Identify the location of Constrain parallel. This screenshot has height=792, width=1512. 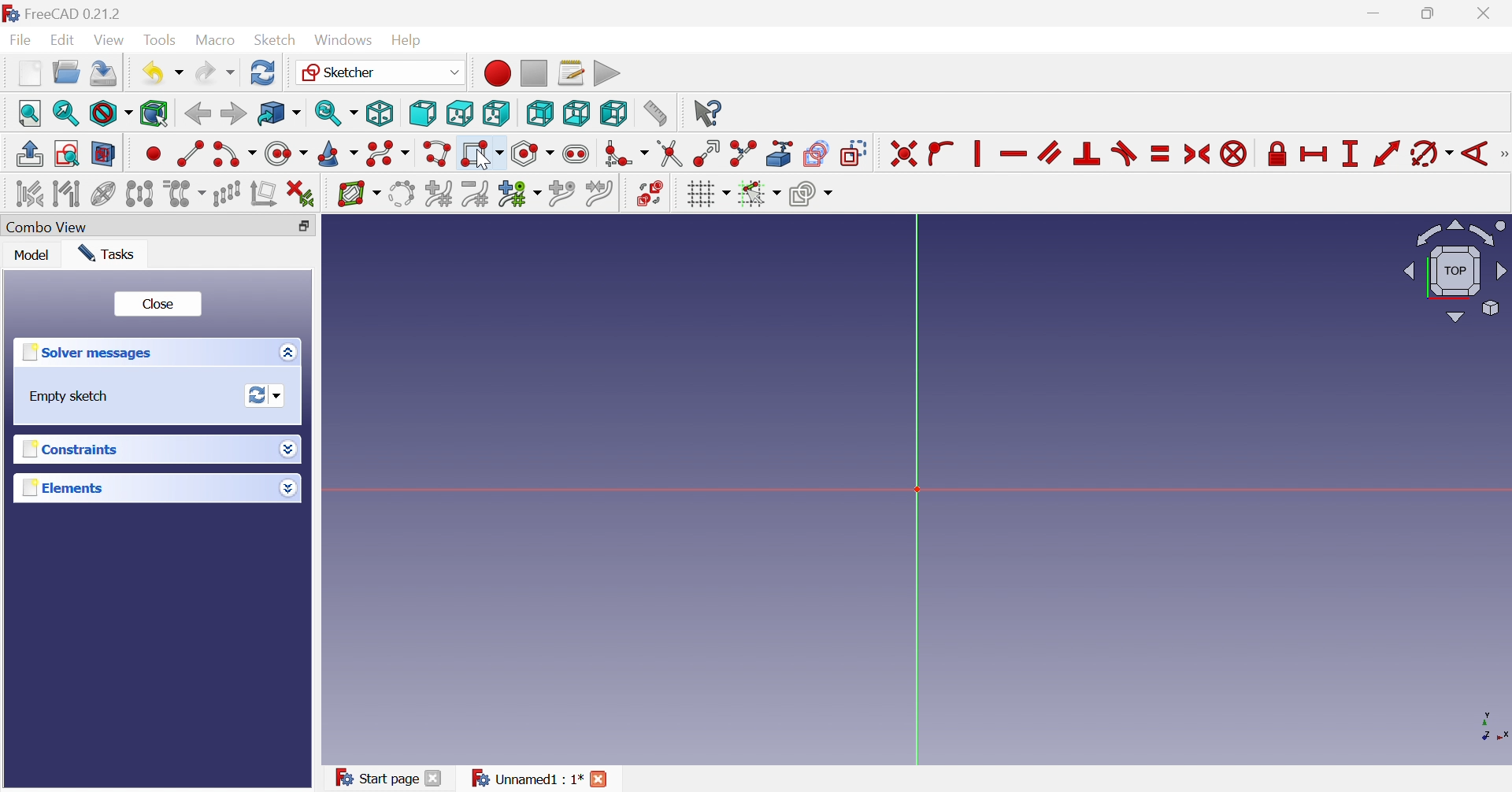
(1049, 152).